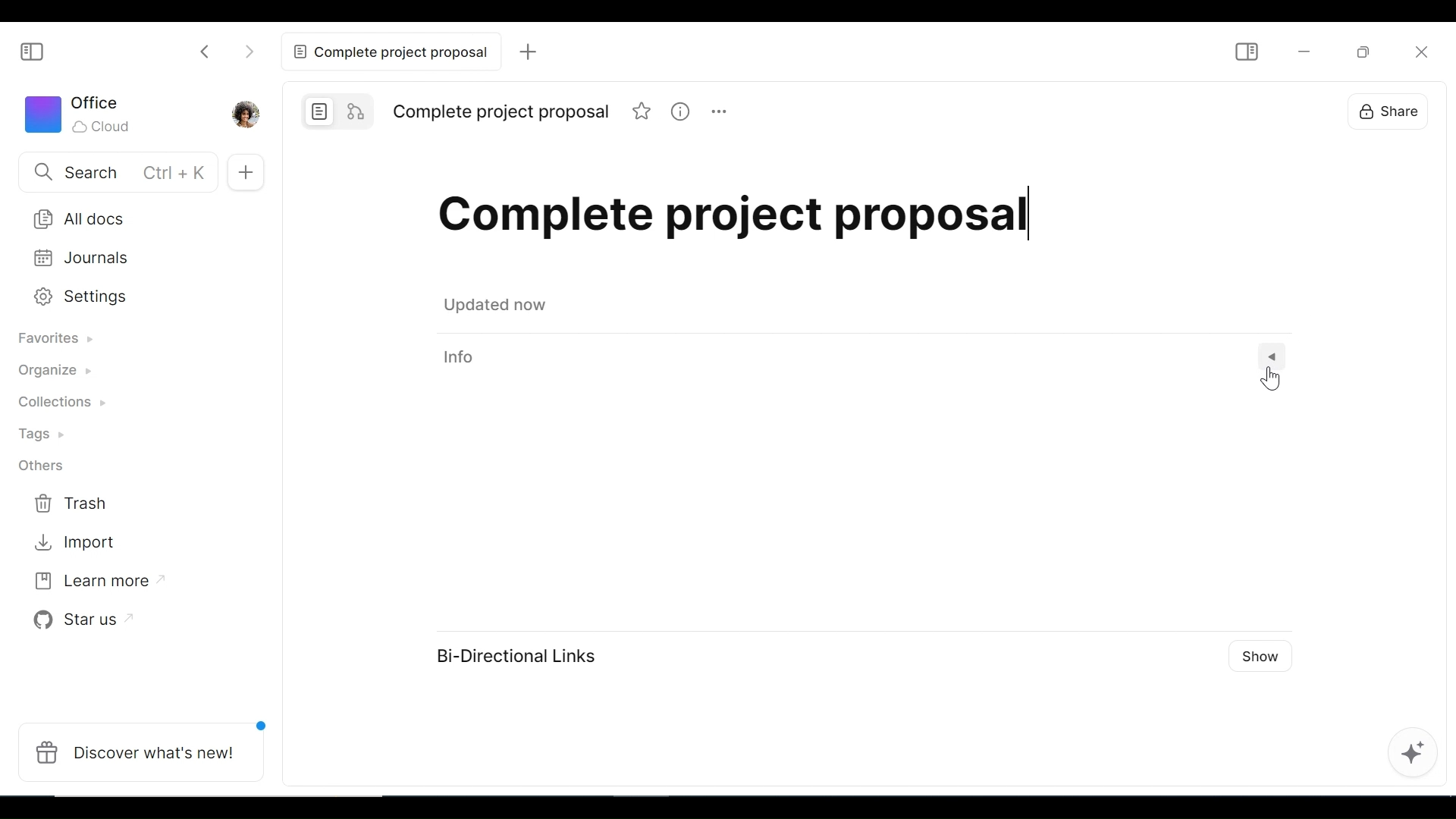 The height and width of the screenshot is (819, 1456). What do you see at coordinates (682, 112) in the screenshot?
I see `information` at bounding box center [682, 112].